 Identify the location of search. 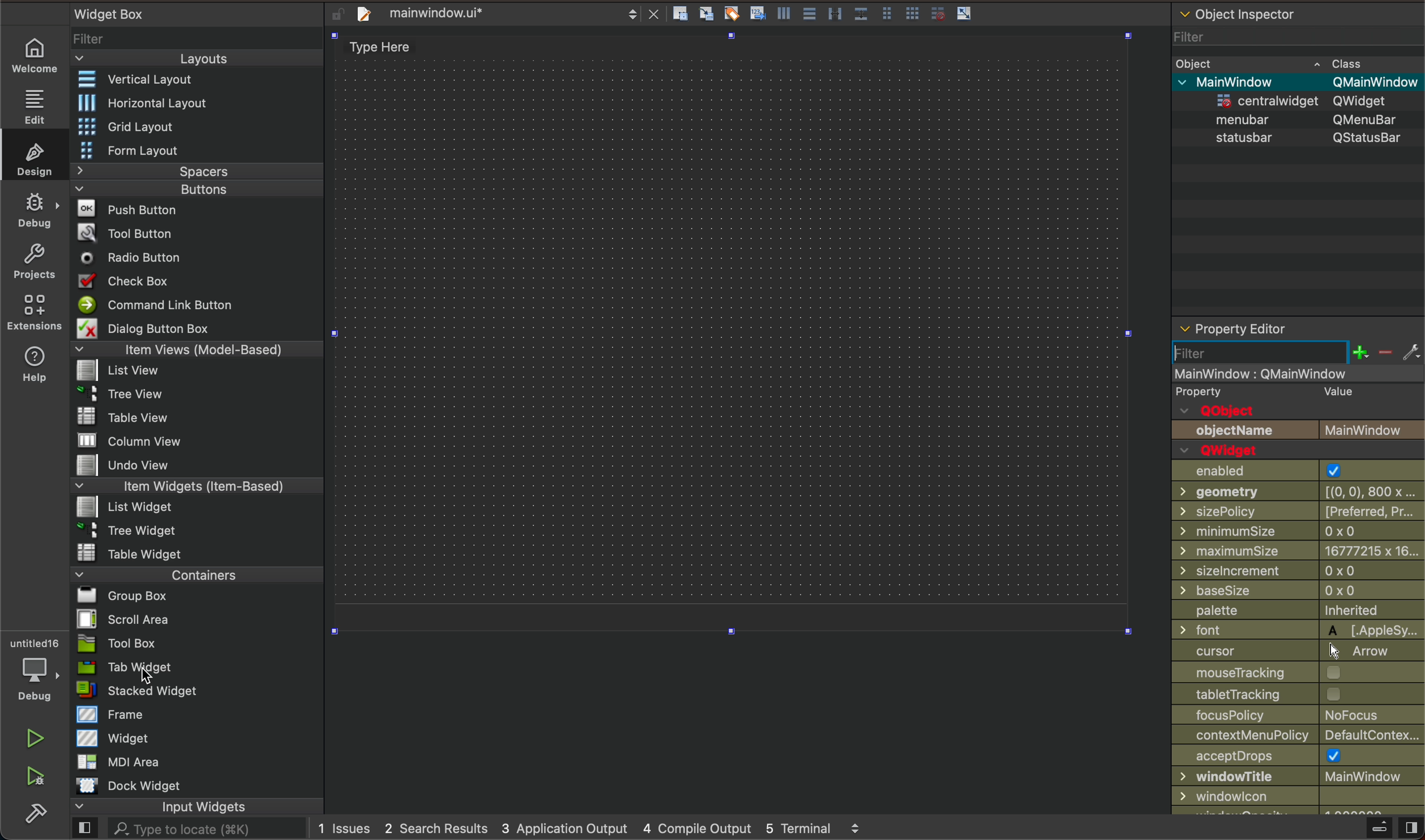
(196, 828).